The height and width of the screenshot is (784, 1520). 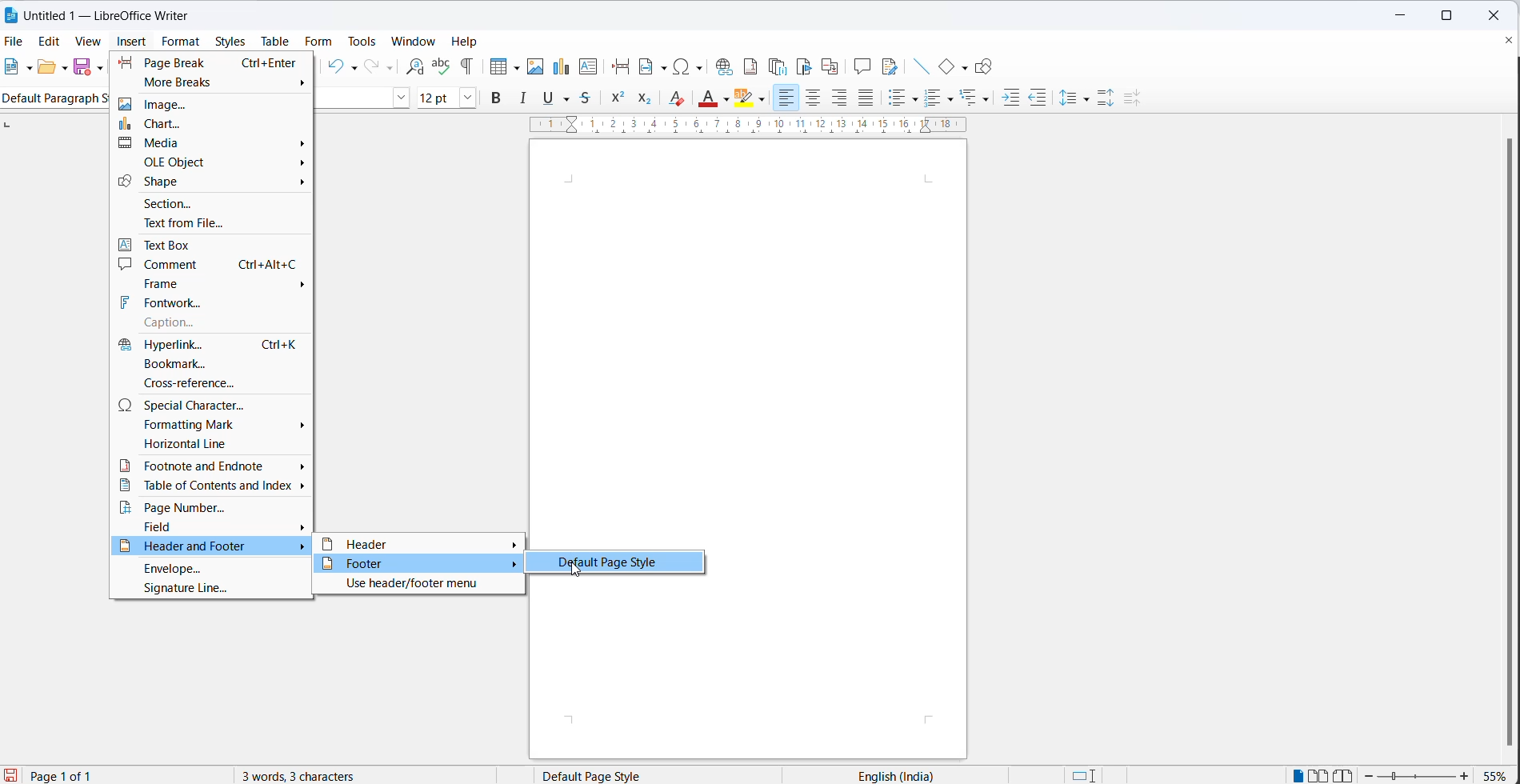 I want to click on window, so click(x=414, y=42).